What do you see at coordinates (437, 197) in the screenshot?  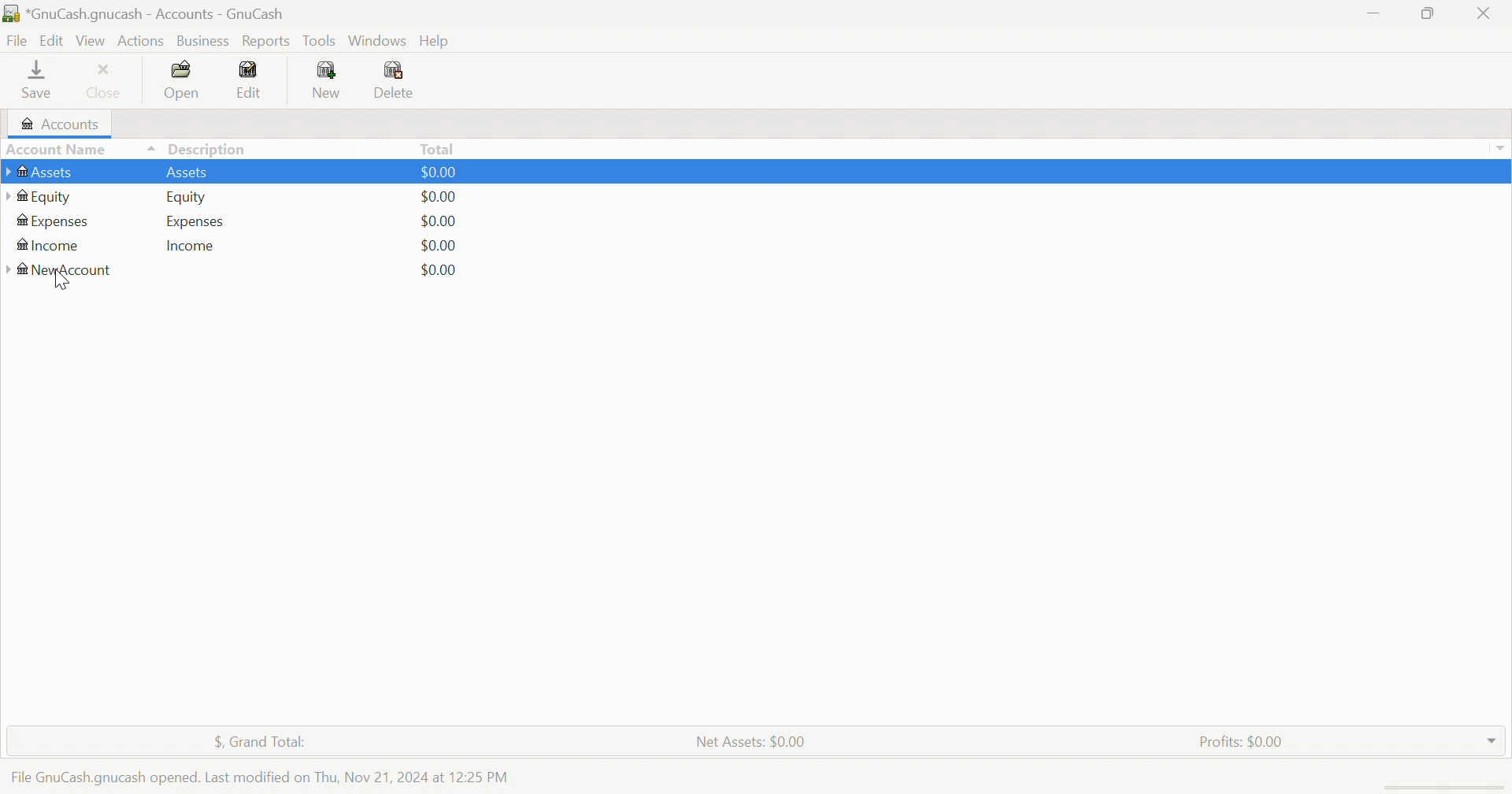 I see `$0.00` at bounding box center [437, 197].